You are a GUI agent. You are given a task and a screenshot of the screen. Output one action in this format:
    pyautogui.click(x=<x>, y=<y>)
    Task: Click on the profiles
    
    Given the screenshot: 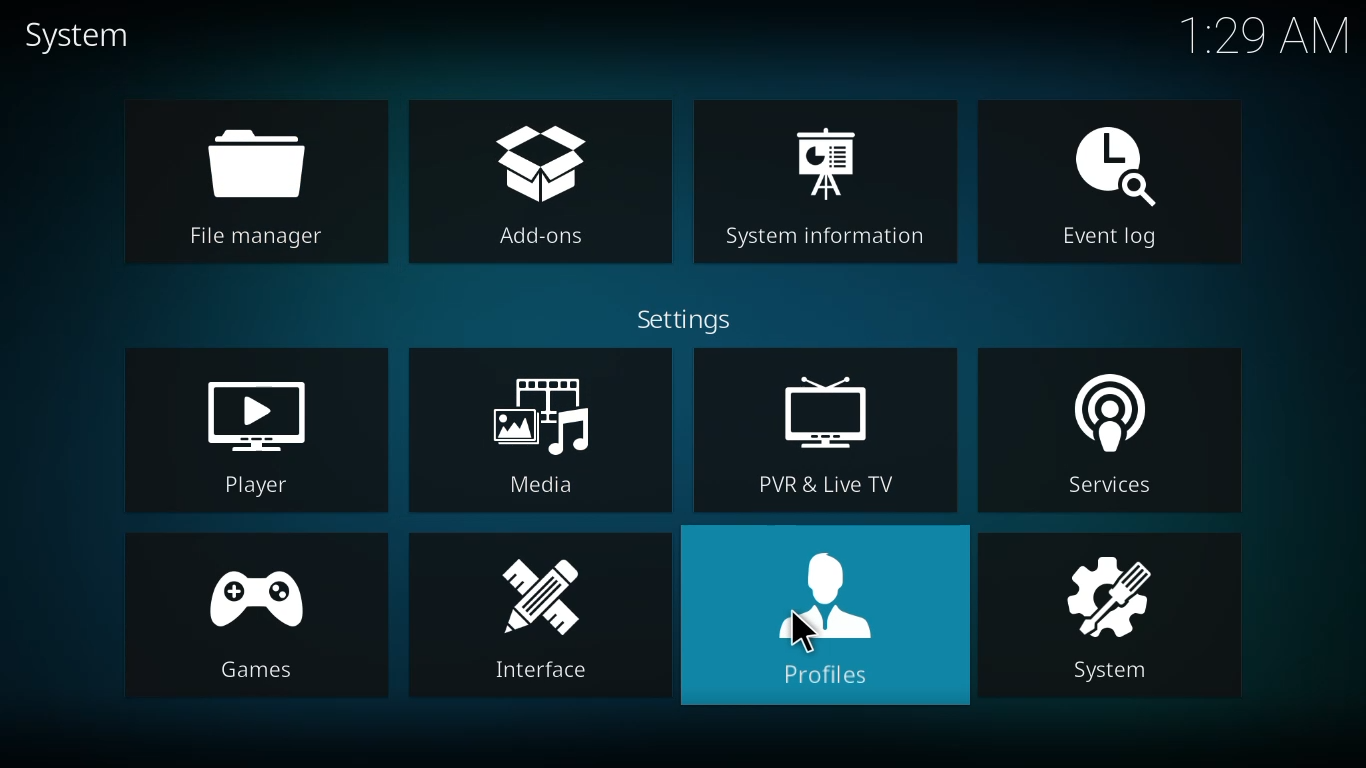 What is the action you would take?
    pyautogui.click(x=821, y=616)
    